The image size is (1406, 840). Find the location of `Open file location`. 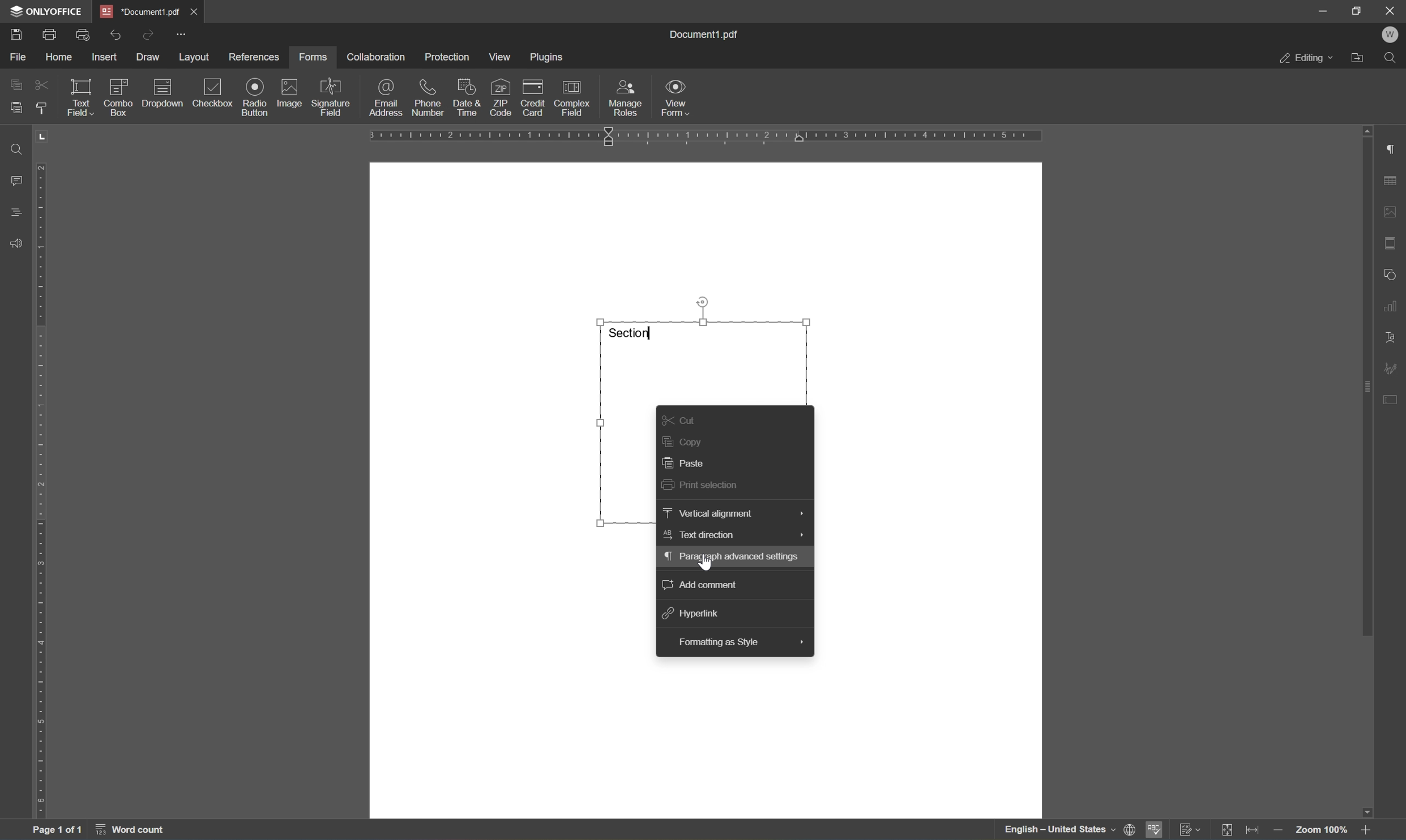

Open file location is located at coordinates (1360, 59).